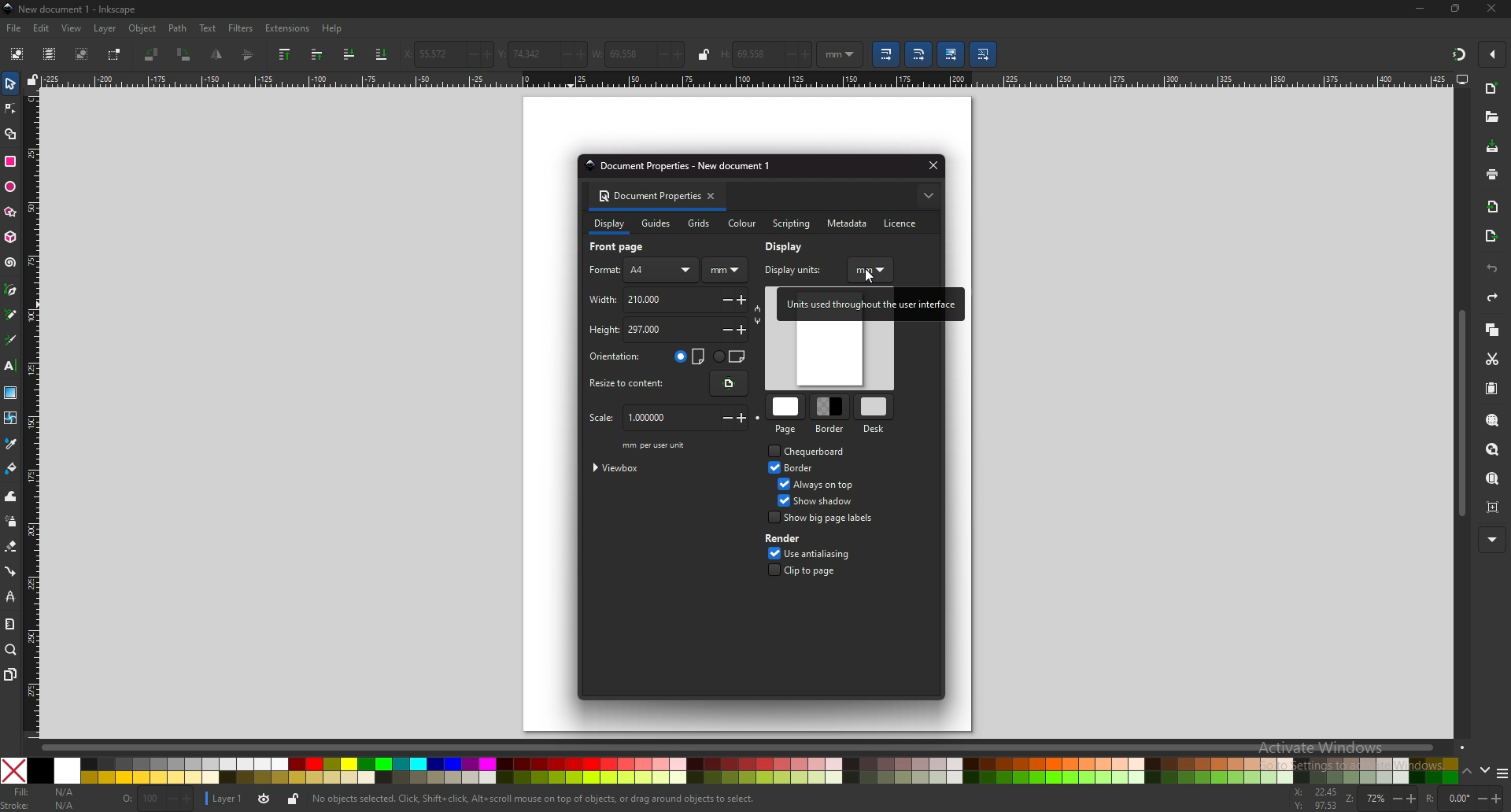  What do you see at coordinates (604, 270) in the screenshot?
I see `format` at bounding box center [604, 270].